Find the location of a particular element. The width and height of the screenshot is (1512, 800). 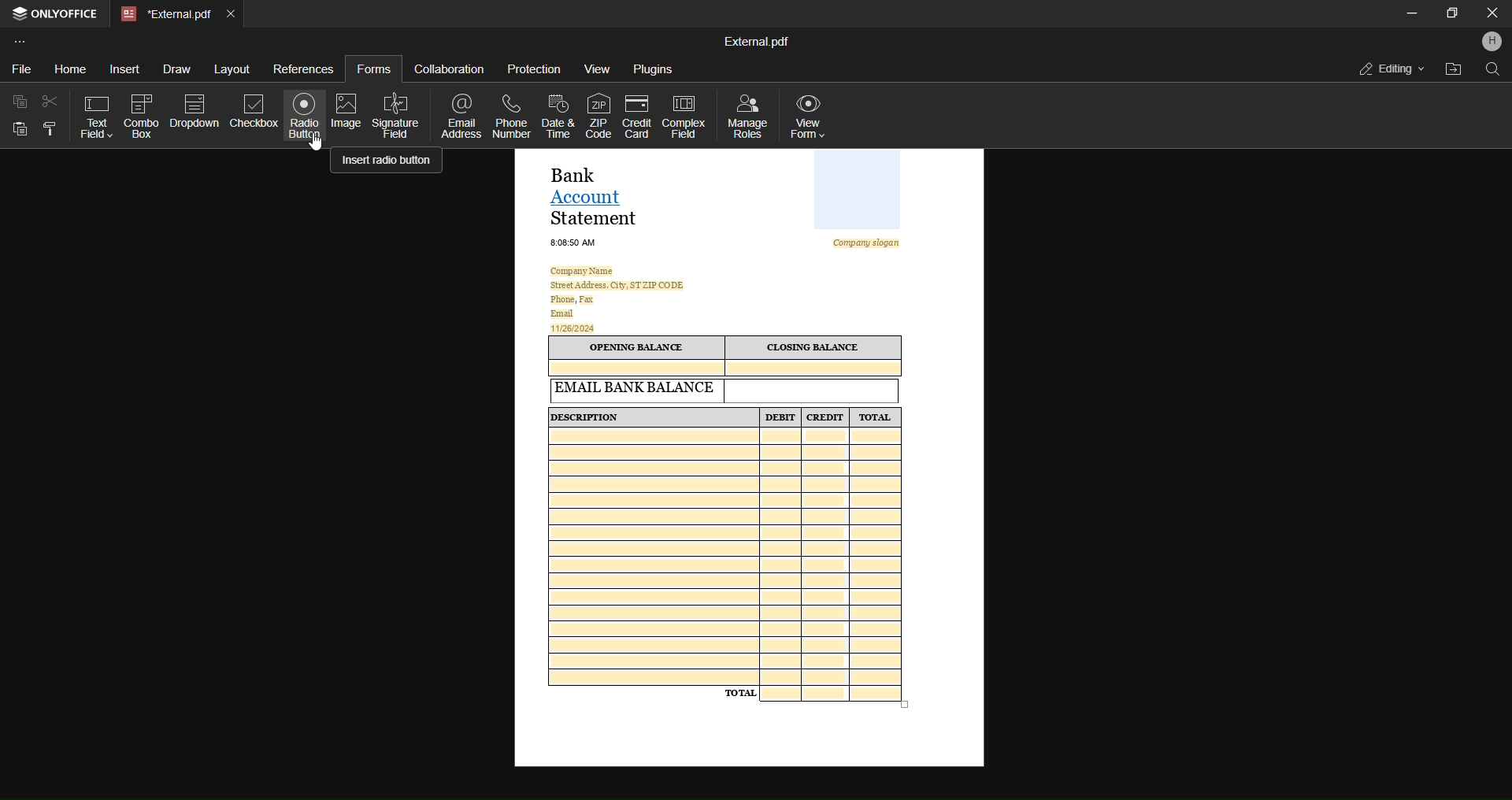

minimize is located at coordinates (1410, 16).